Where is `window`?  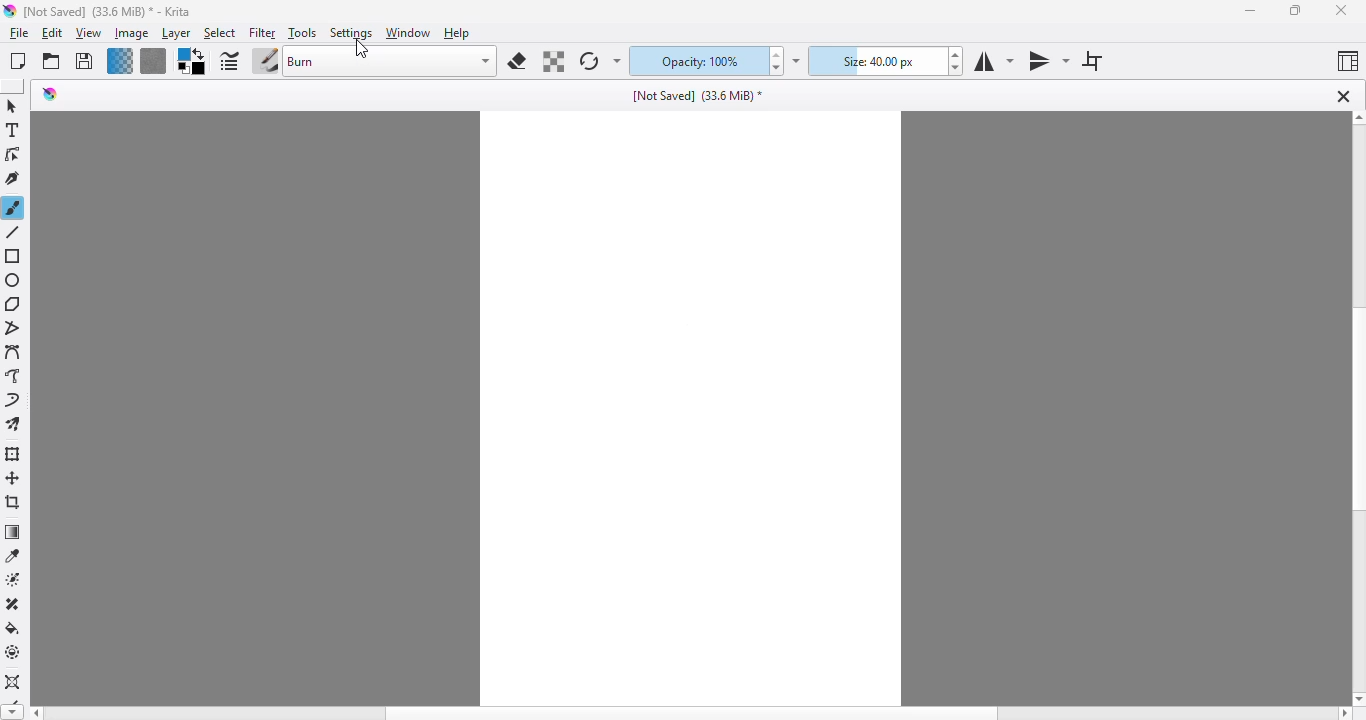
window is located at coordinates (407, 33).